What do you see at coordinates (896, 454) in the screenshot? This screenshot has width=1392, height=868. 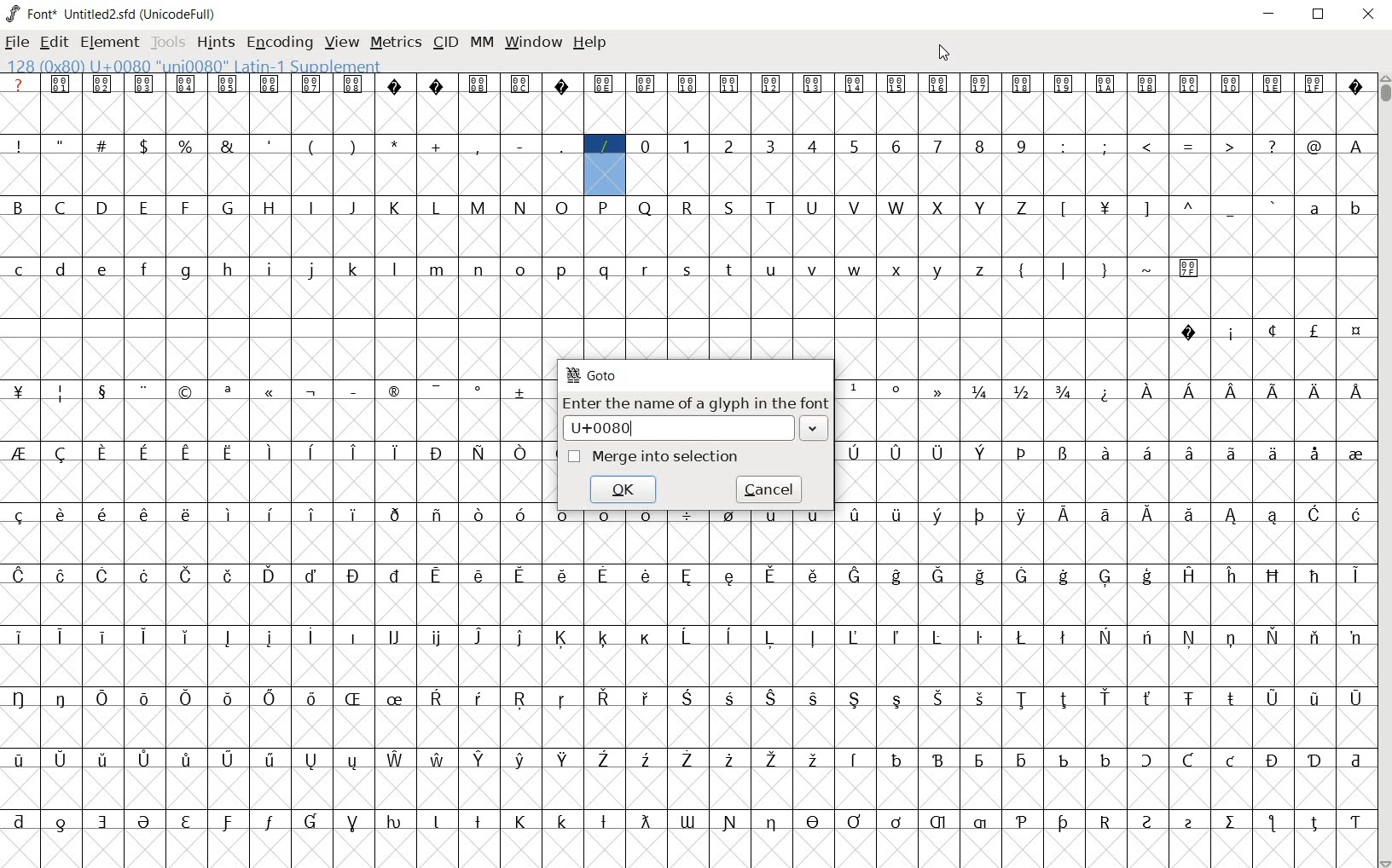 I see `glyph` at bounding box center [896, 454].